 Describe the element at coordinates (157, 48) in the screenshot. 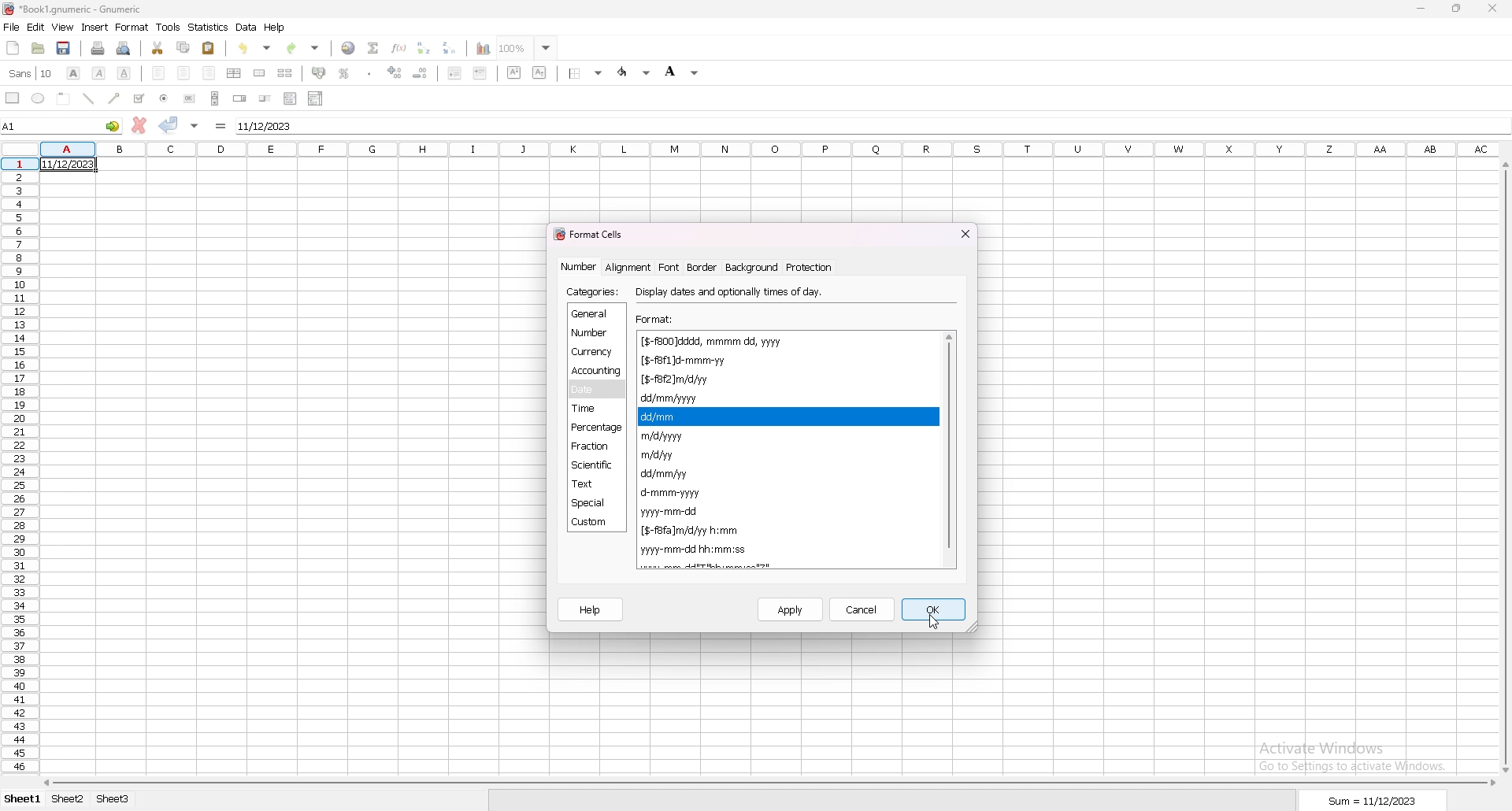

I see `cut` at that location.